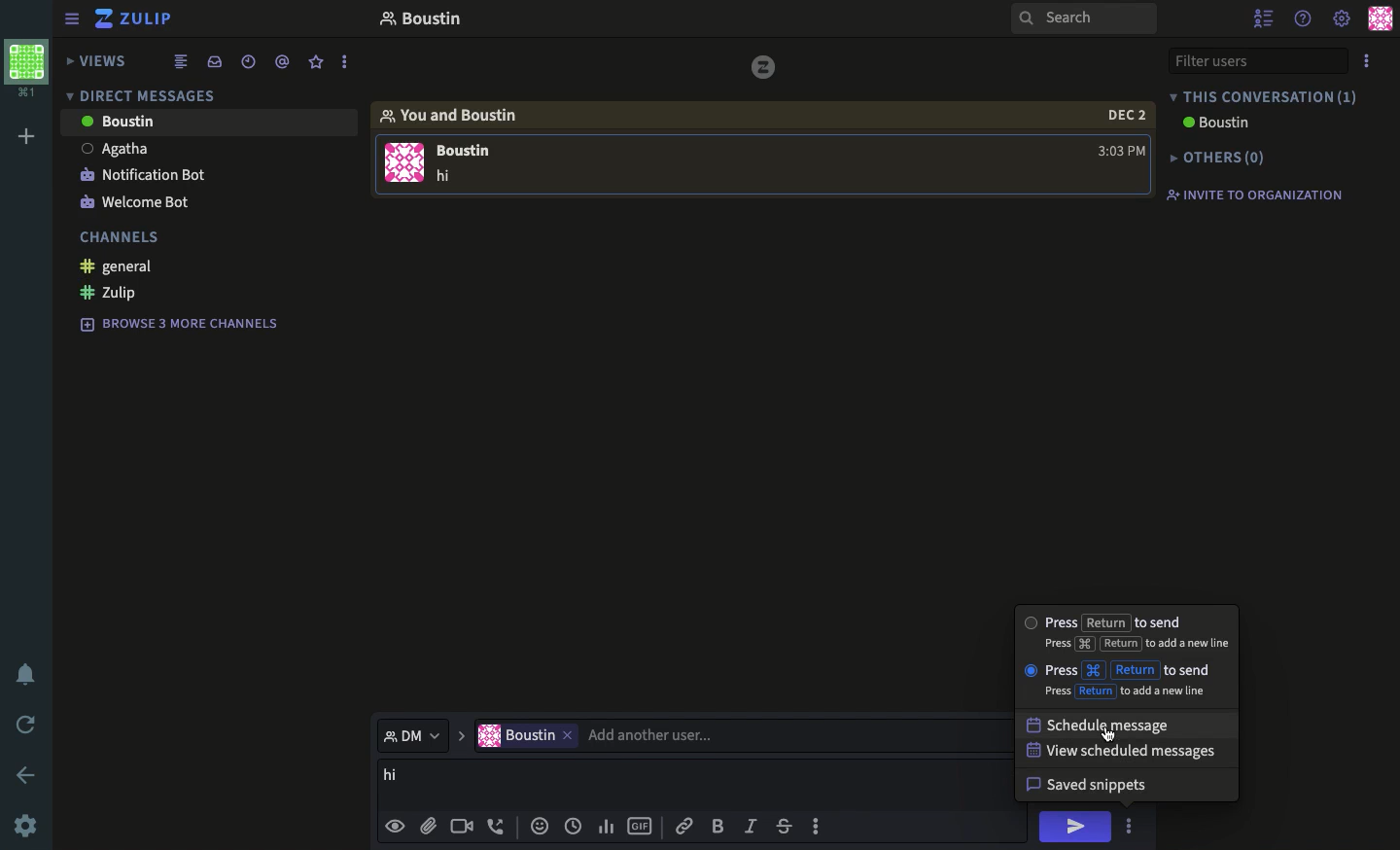  I want to click on help, so click(1304, 18).